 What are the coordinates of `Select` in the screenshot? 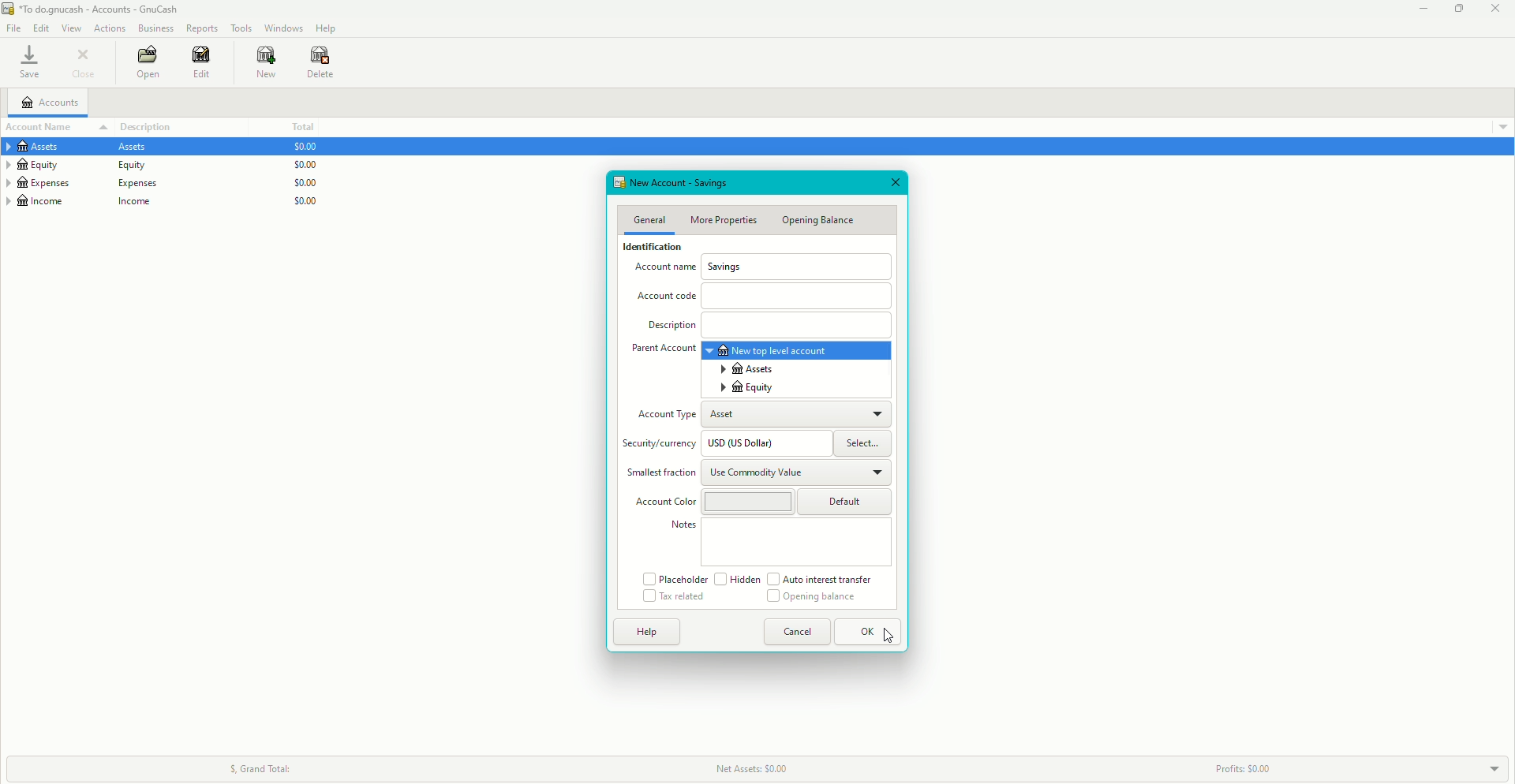 It's located at (865, 444).